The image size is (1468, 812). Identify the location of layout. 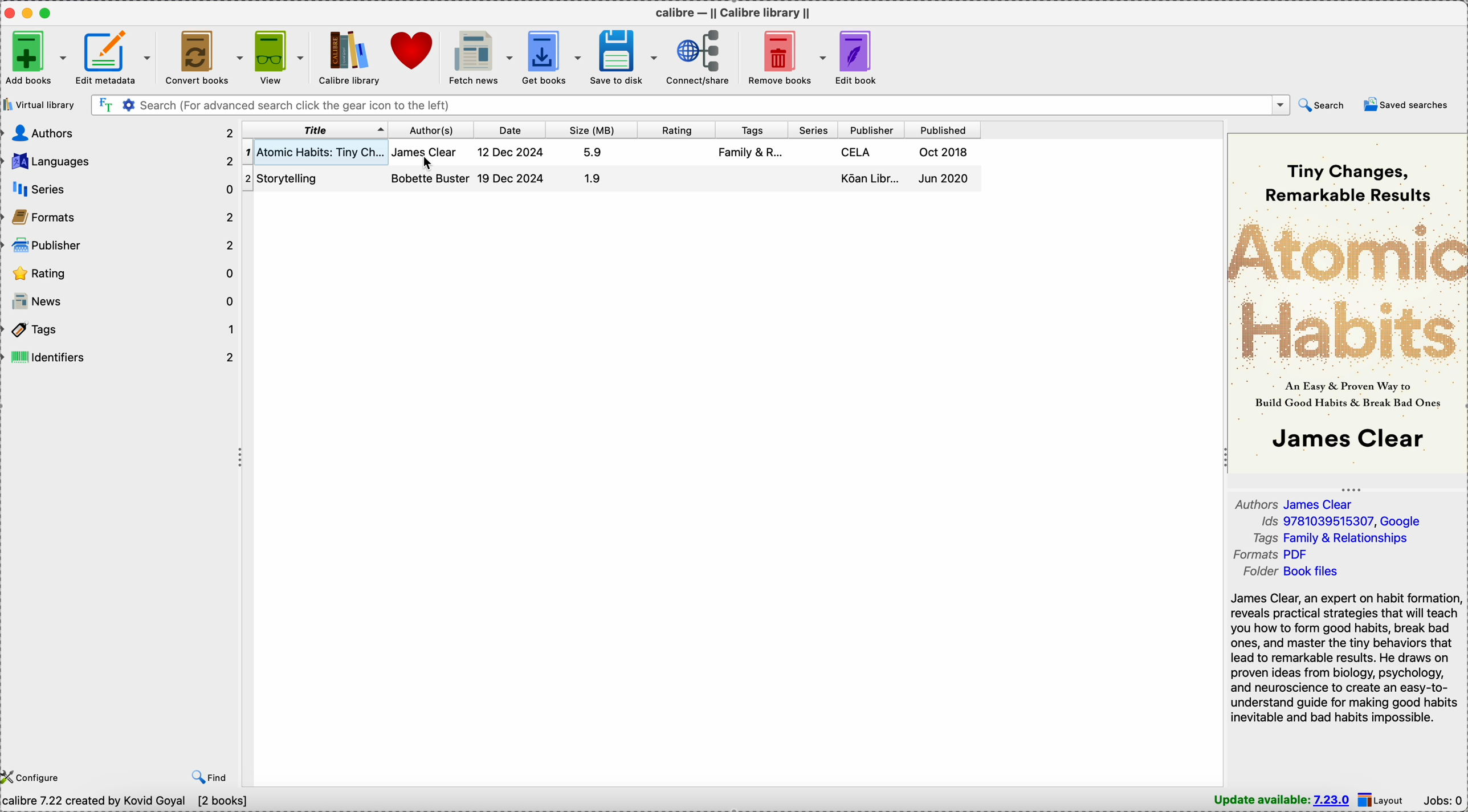
(1381, 800).